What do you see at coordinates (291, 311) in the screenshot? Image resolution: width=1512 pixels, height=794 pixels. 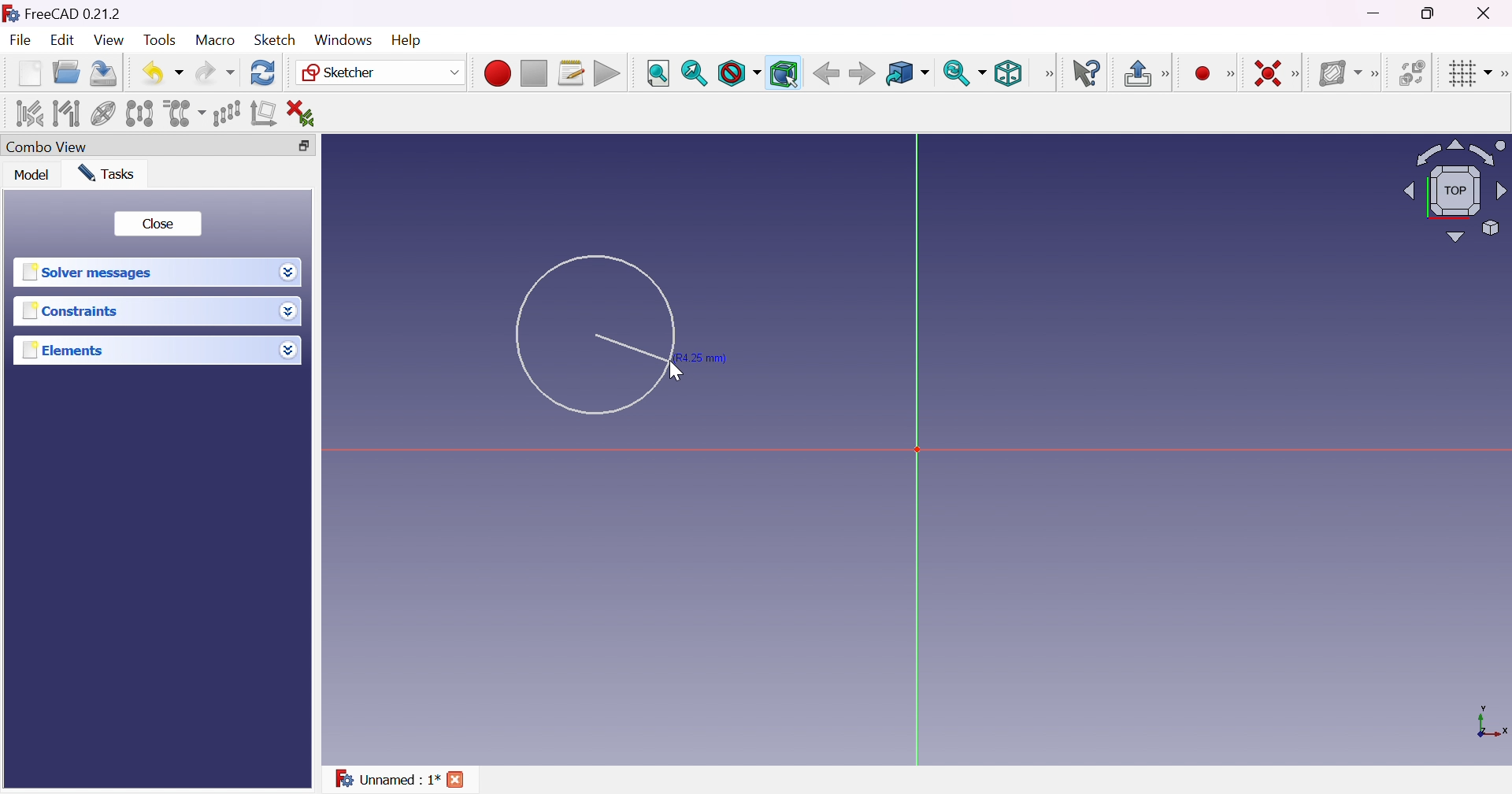 I see `Drop down` at bounding box center [291, 311].